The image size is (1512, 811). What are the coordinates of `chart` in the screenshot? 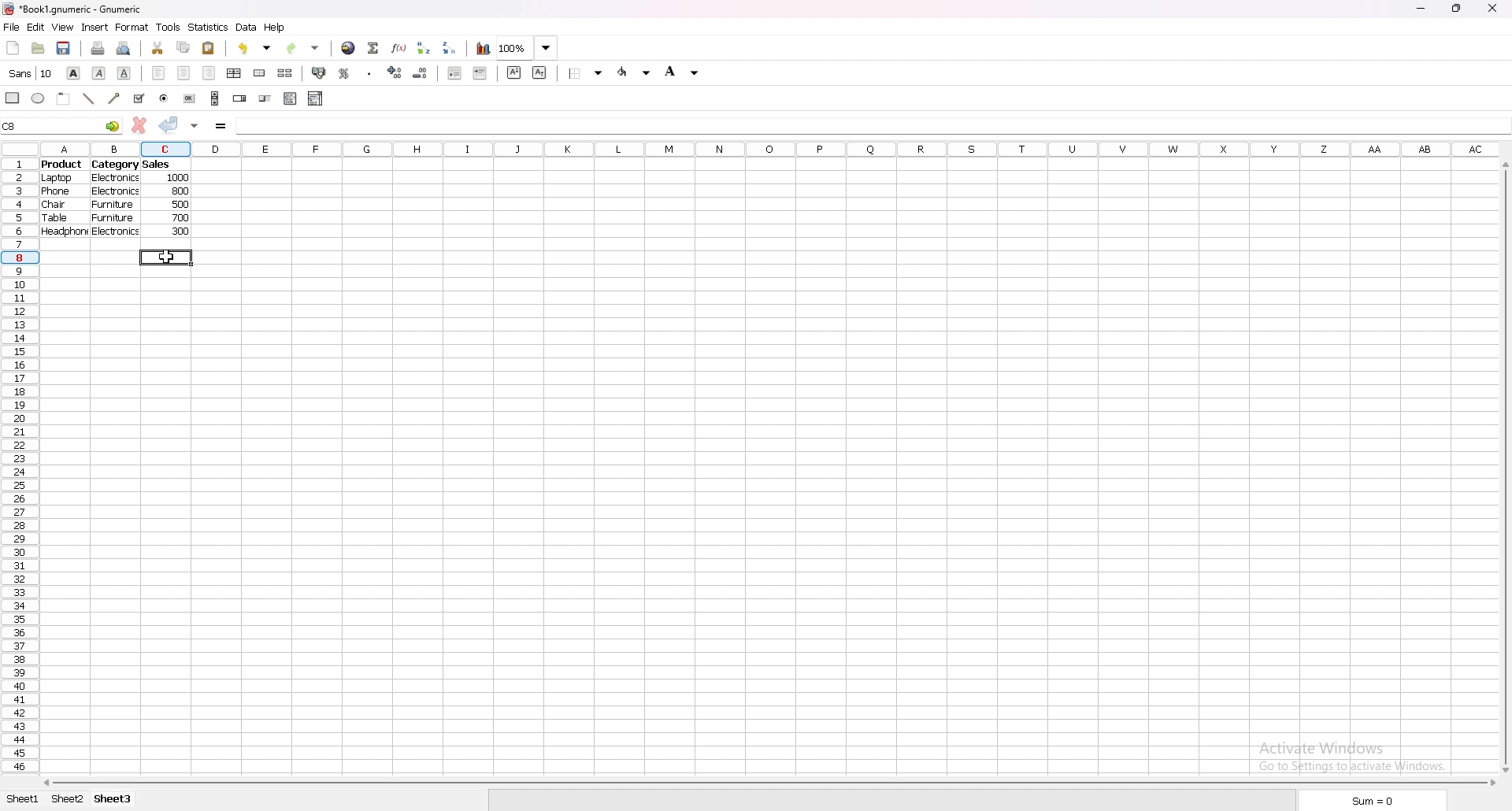 It's located at (484, 50).